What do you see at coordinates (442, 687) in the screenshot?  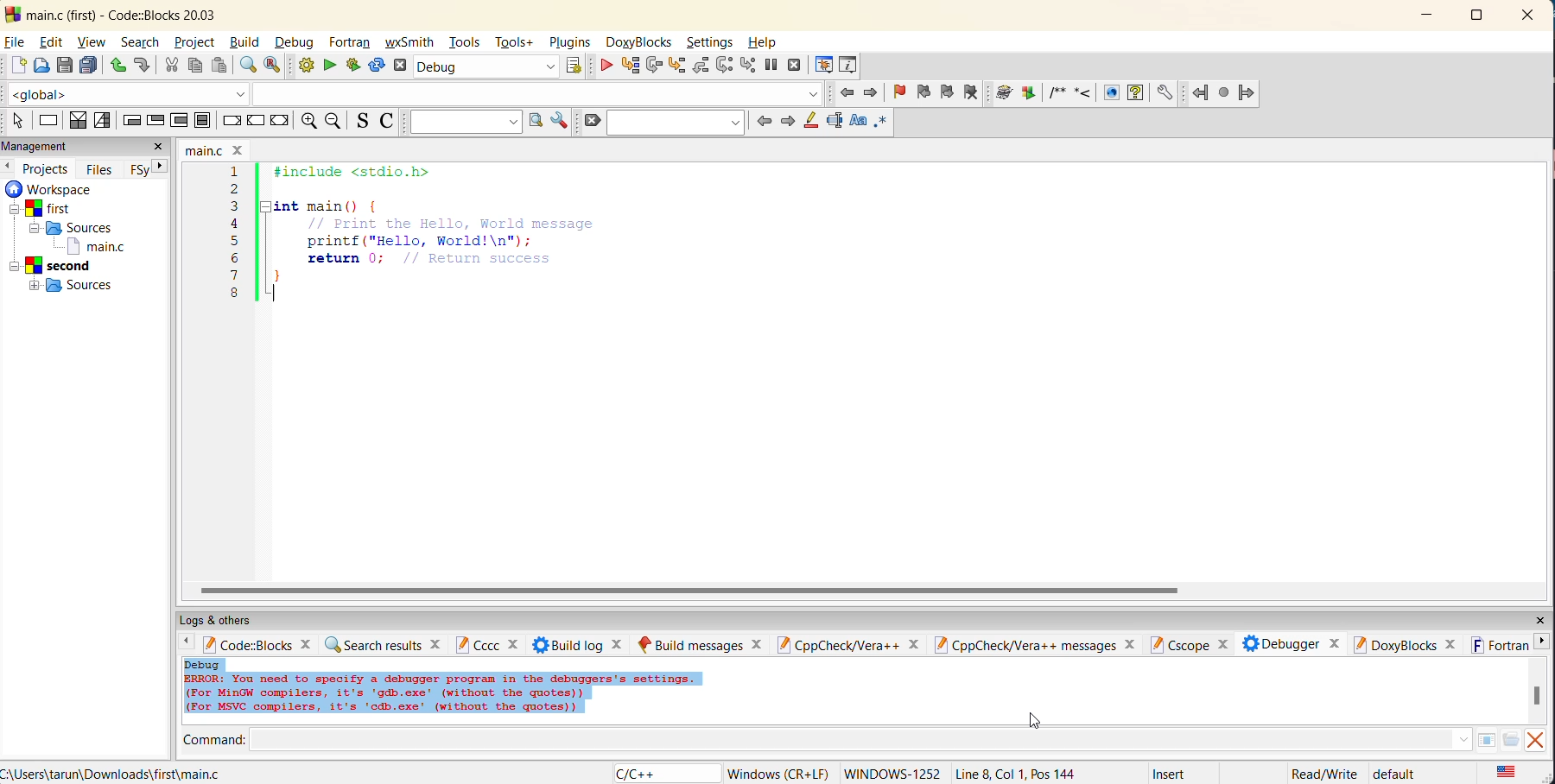 I see `Debug

|ERROR: You need to specify a debugger program in the debuggers's settings.
(For MinGW compilers, it's 'gdb.exe' (without the quotes))

(For MSVC compilers, it's 'odb.exe' (without the quotes))` at bounding box center [442, 687].